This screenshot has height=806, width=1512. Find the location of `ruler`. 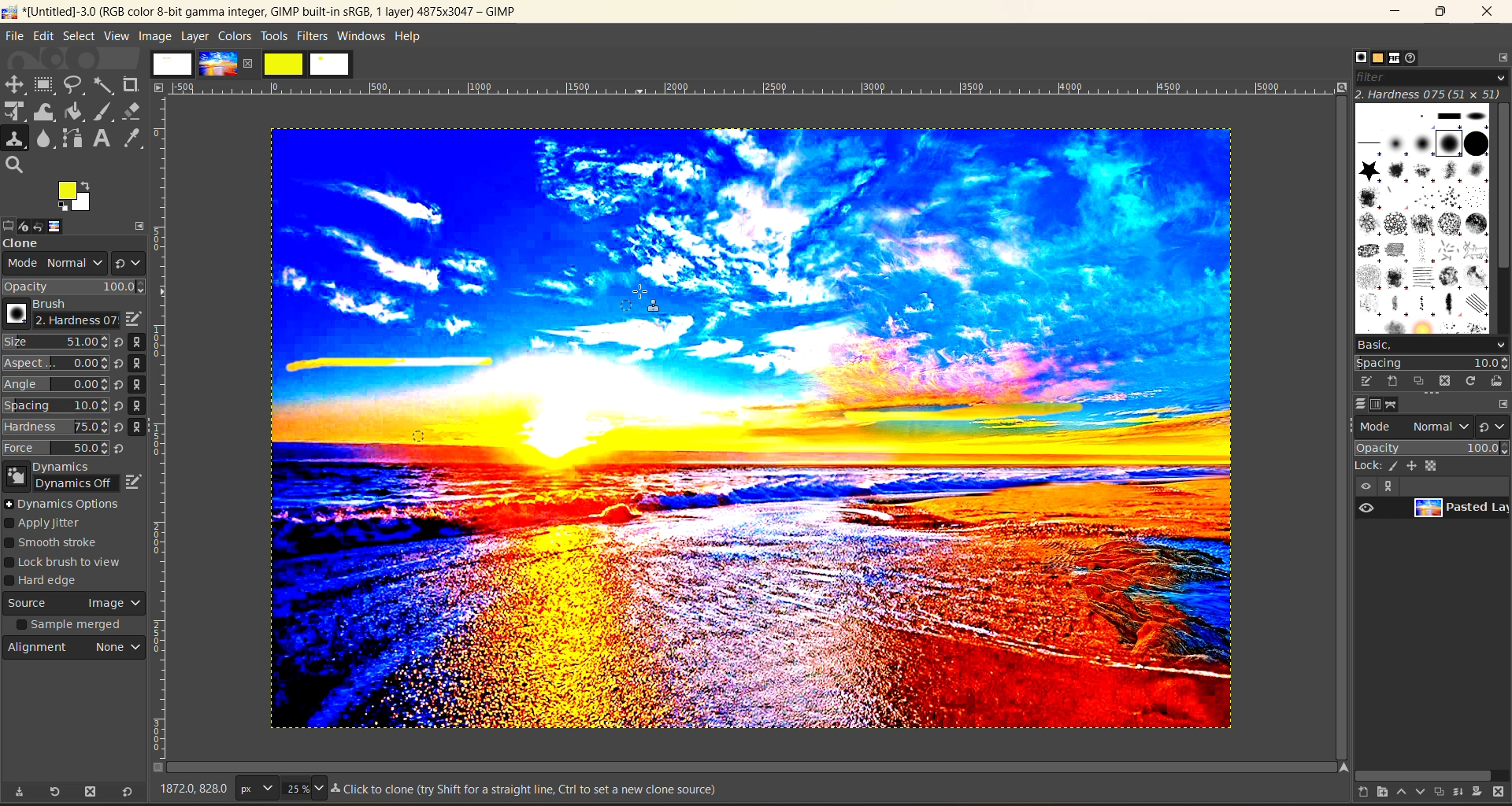

ruler is located at coordinates (757, 88).